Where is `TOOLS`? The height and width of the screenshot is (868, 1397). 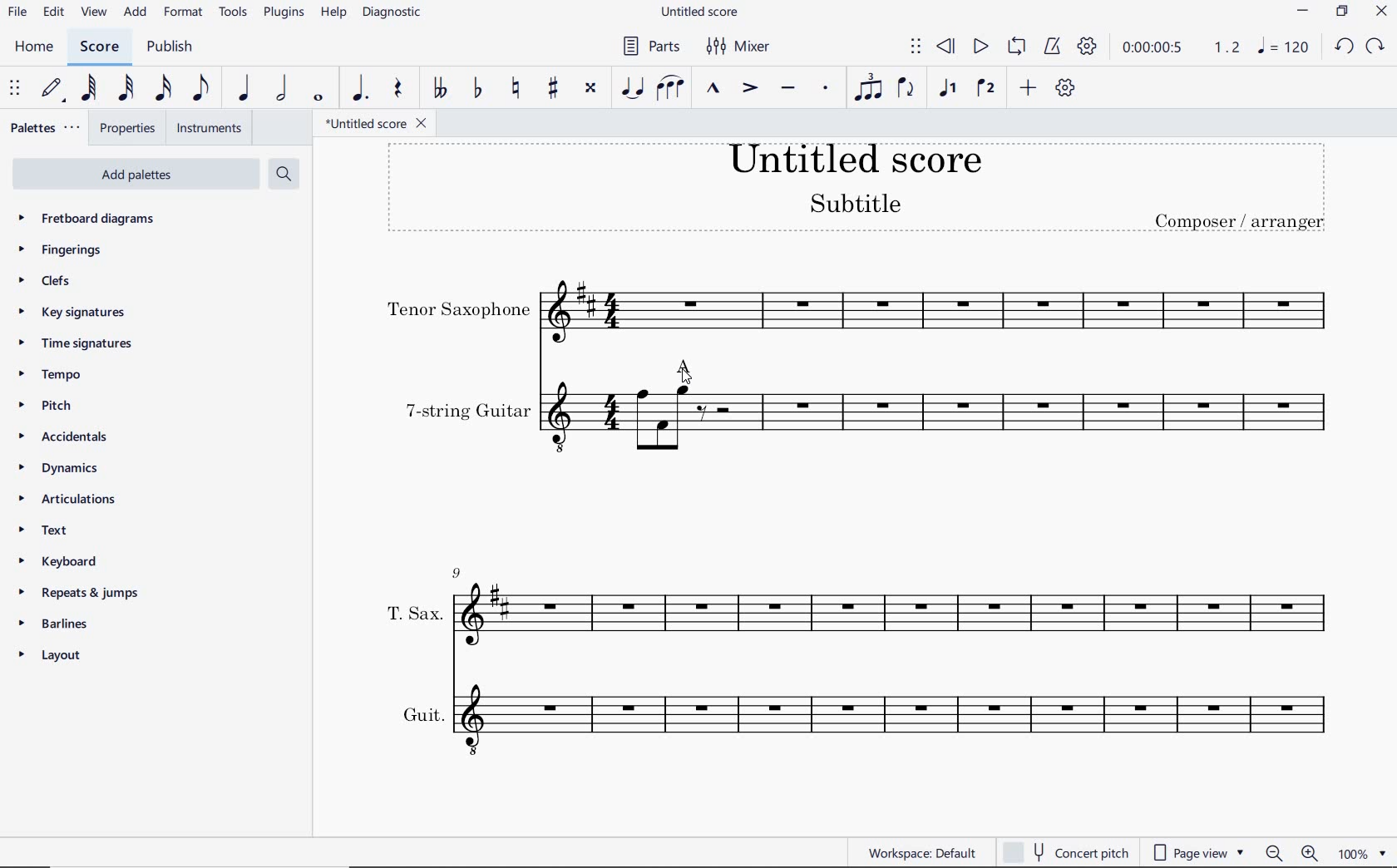
TOOLS is located at coordinates (234, 13).